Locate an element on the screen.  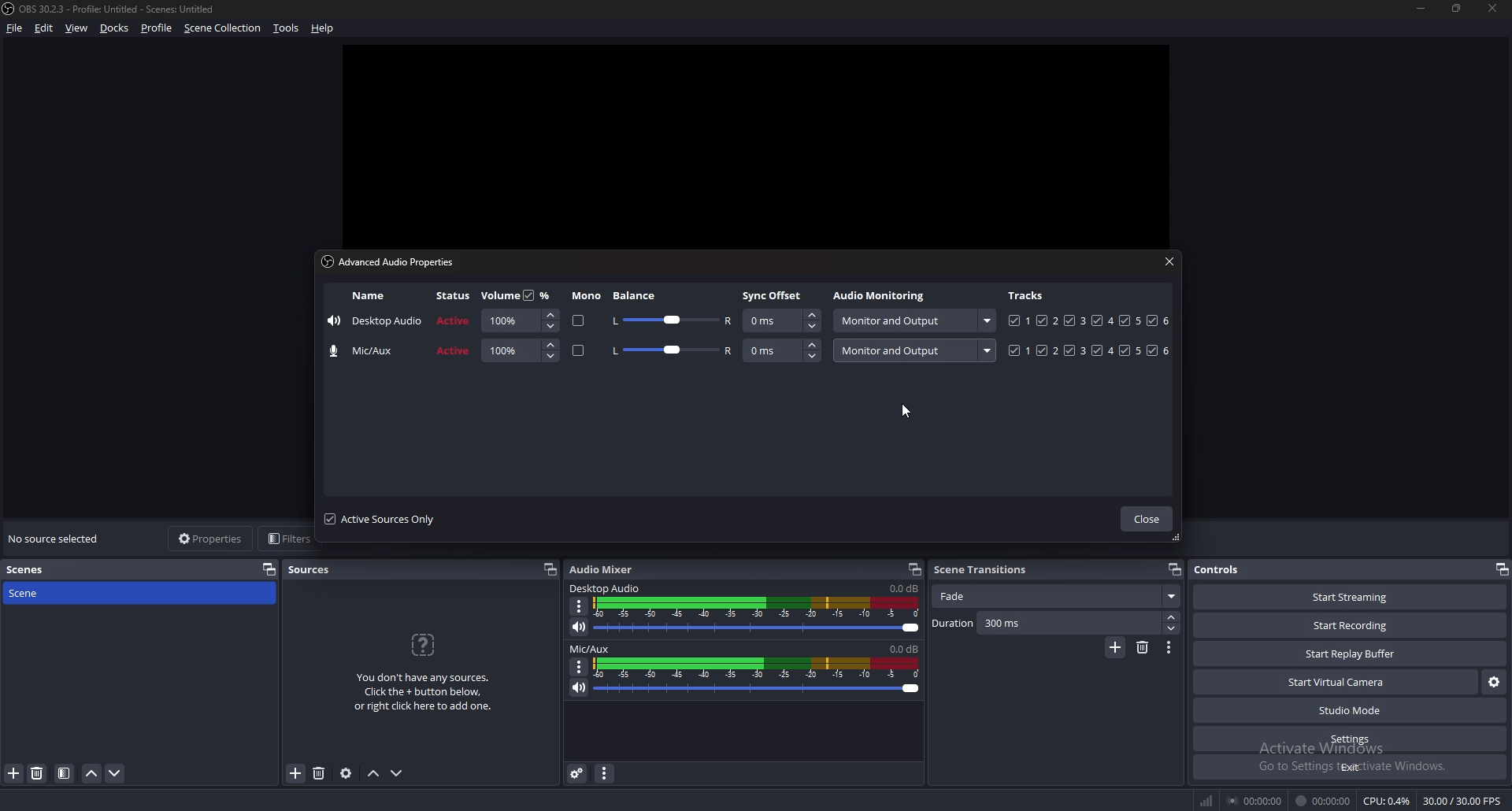
audio monitoring is located at coordinates (880, 294).